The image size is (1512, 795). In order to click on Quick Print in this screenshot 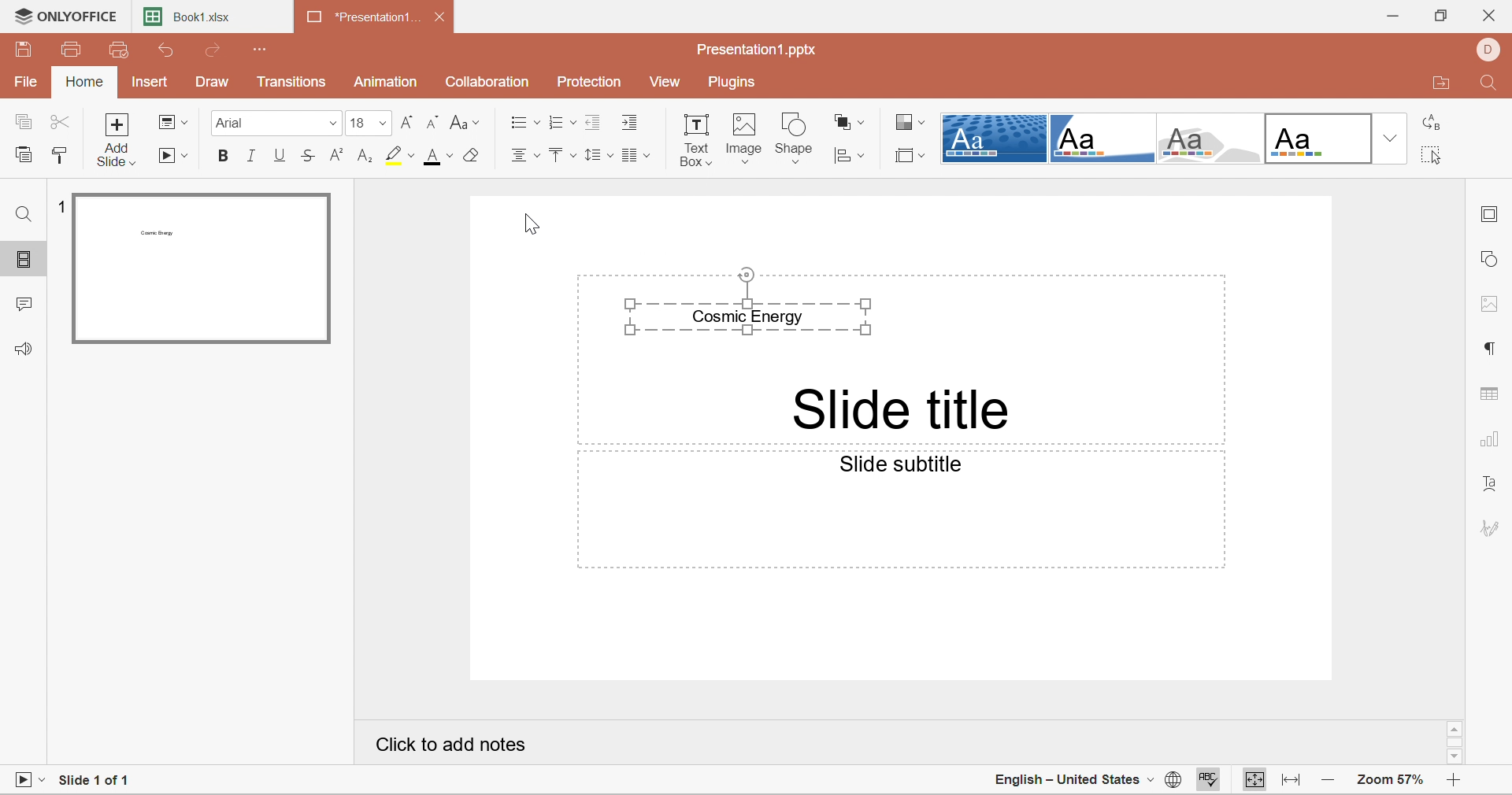, I will do `click(117, 50)`.